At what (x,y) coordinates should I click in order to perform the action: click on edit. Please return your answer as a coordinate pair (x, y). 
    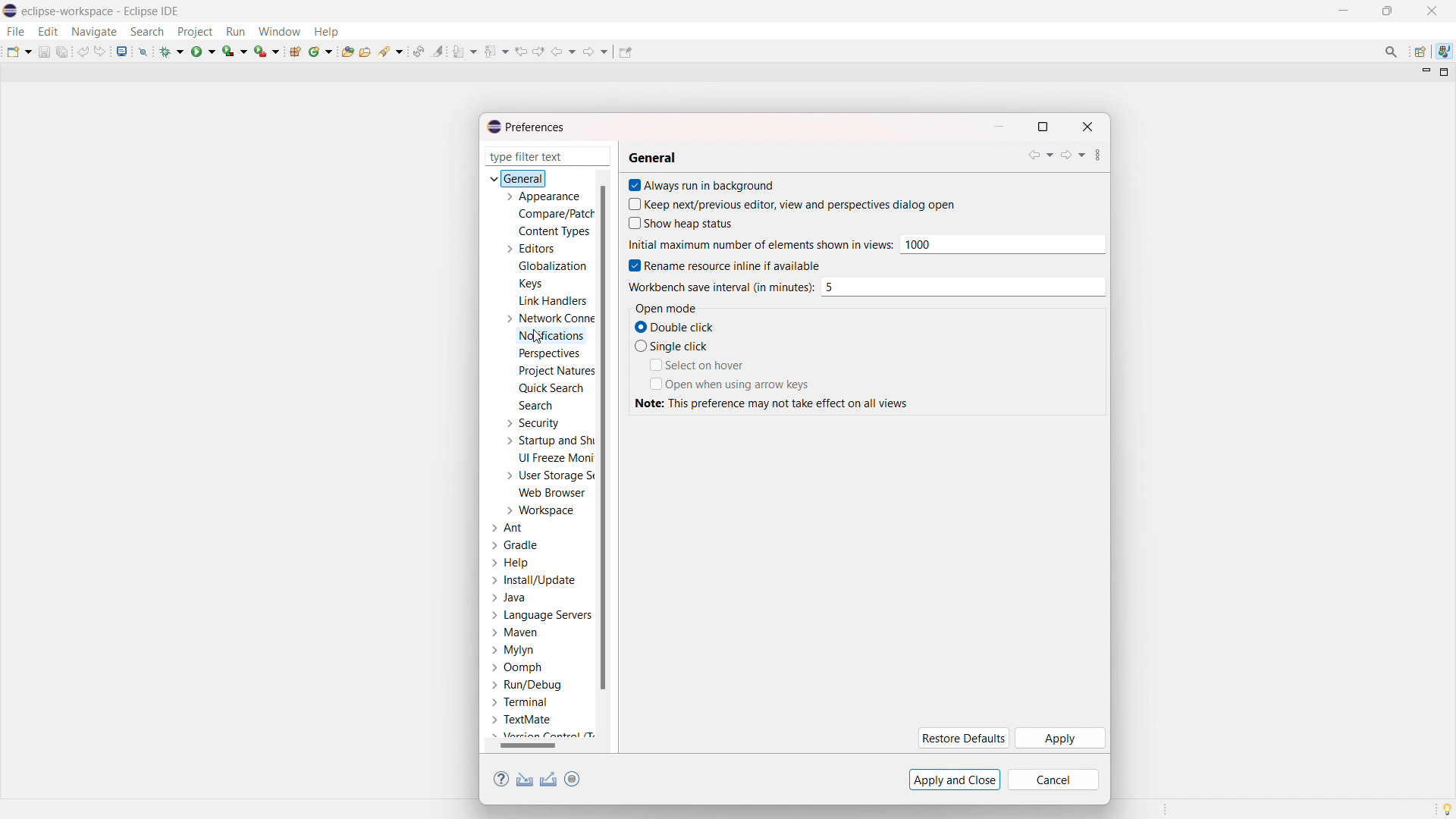
    Looking at the image, I should click on (47, 32).